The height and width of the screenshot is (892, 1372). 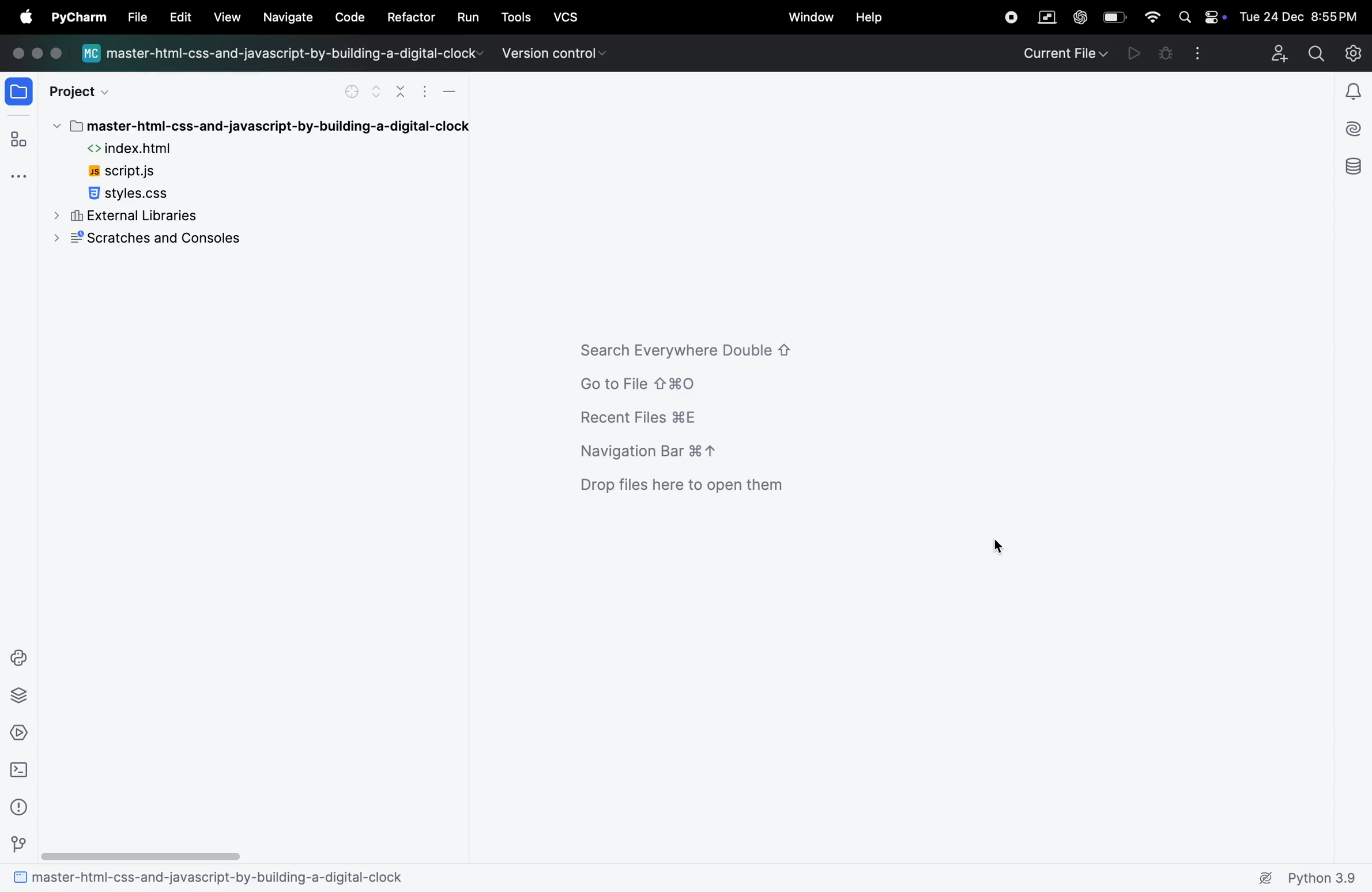 I want to click on file, so click(x=134, y=17).